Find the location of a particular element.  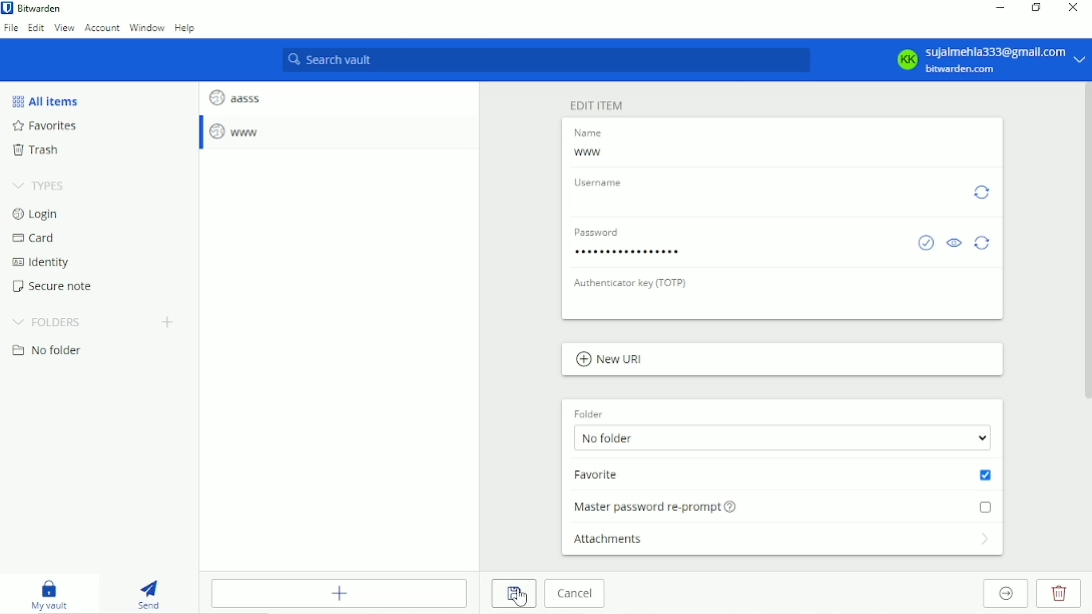

Move to organization is located at coordinates (1008, 594).